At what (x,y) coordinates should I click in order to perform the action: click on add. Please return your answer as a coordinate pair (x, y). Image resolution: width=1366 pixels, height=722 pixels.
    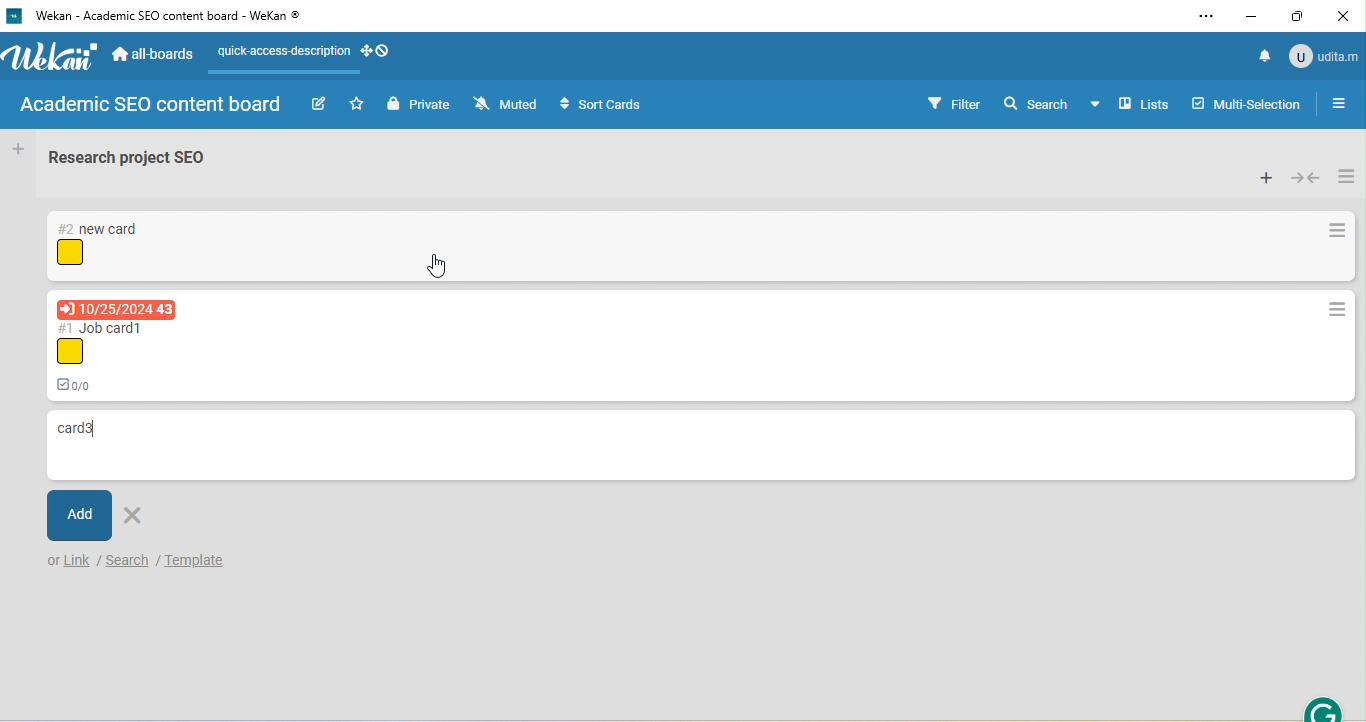
    Looking at the image, I should click on (78, 515).